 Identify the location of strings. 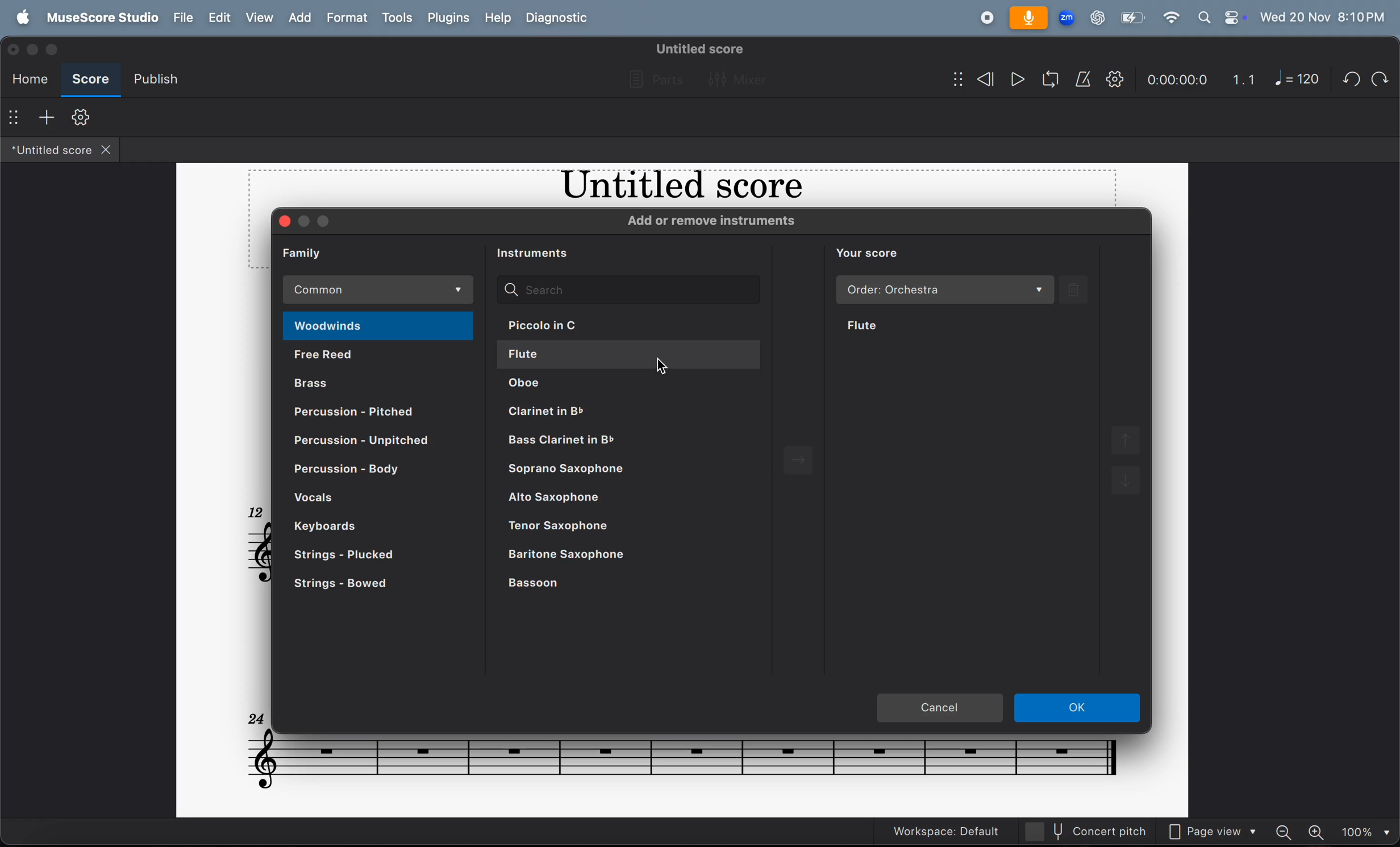
(369, 555).